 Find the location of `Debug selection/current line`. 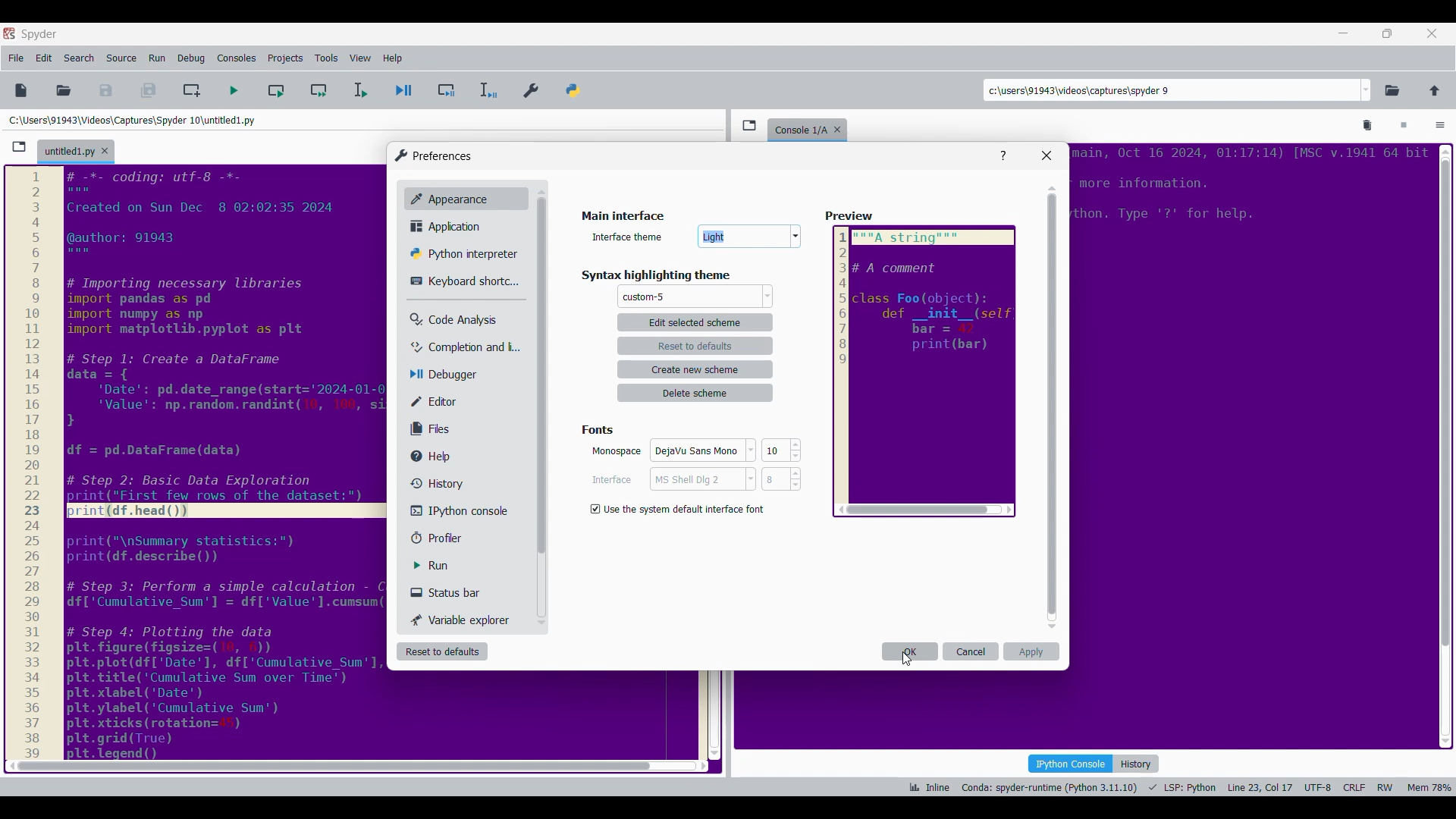

Debug selection/current line is located at coordinates (487, 90).